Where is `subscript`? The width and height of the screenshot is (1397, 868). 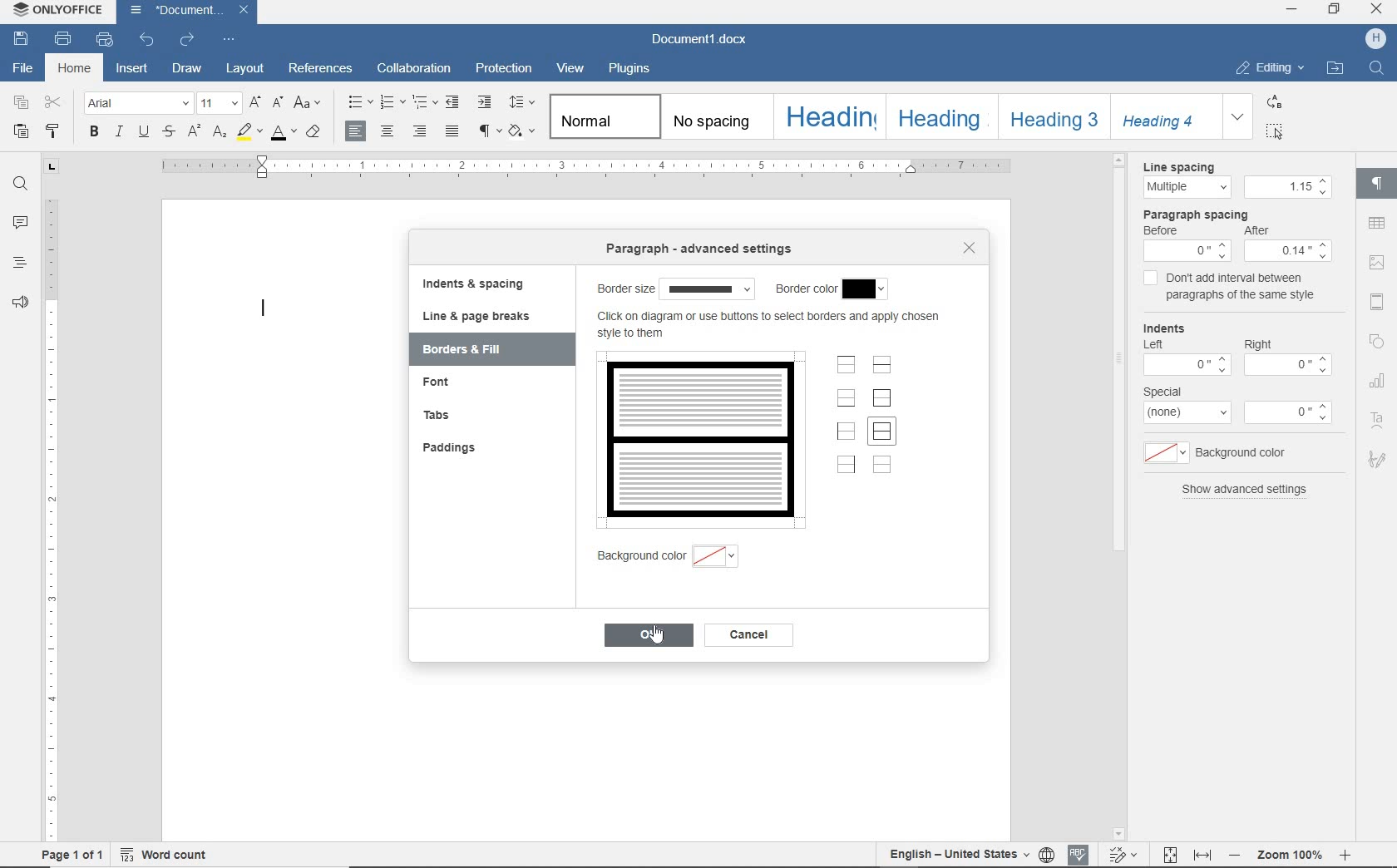
subscript is located at coordinates (217, 133).